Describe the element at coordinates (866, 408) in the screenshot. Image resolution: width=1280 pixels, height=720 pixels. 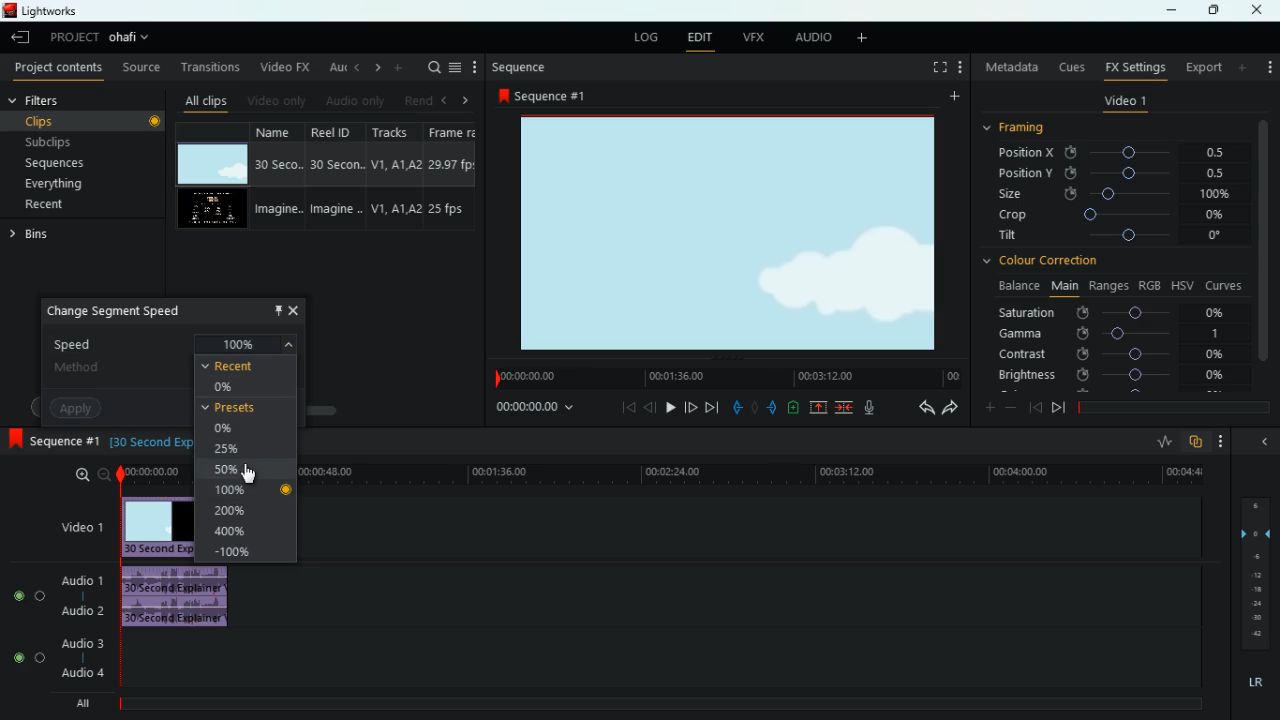
I see `mic` at that location.